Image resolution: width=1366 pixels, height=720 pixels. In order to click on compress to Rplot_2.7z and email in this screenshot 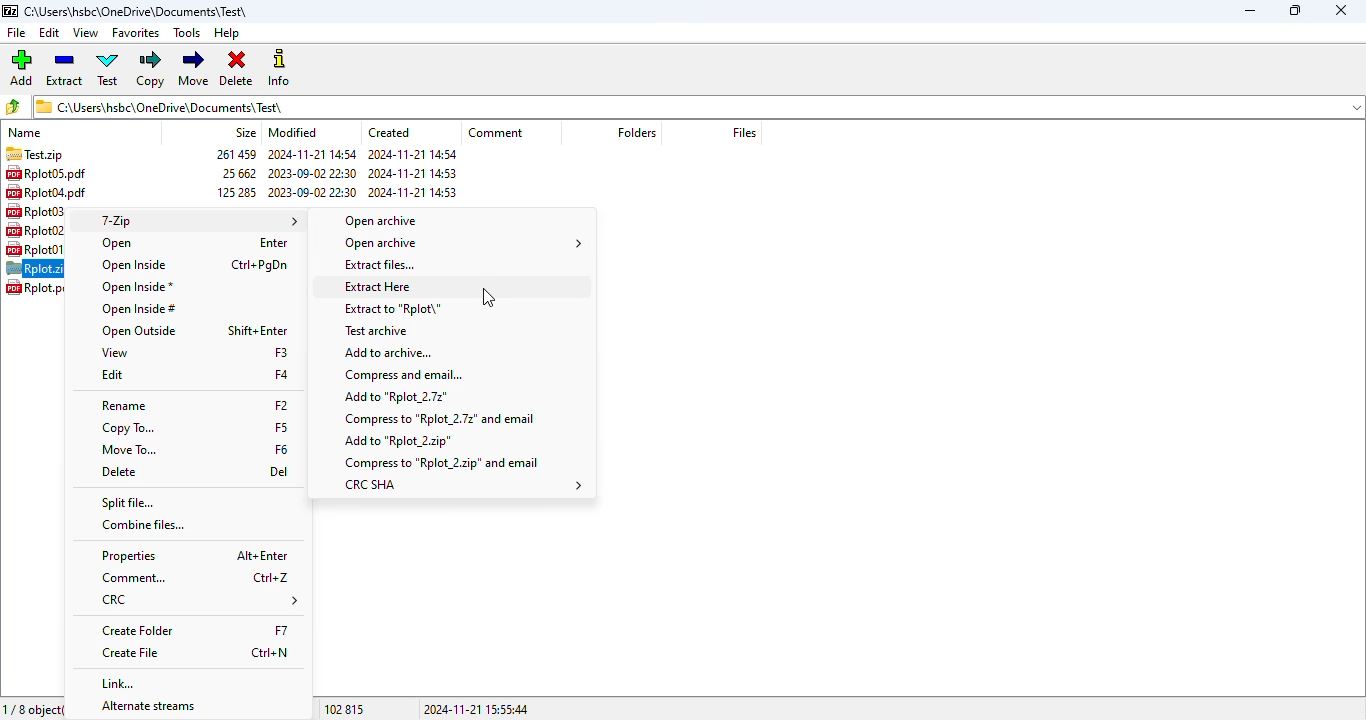, I will do `click(441, 420)`.